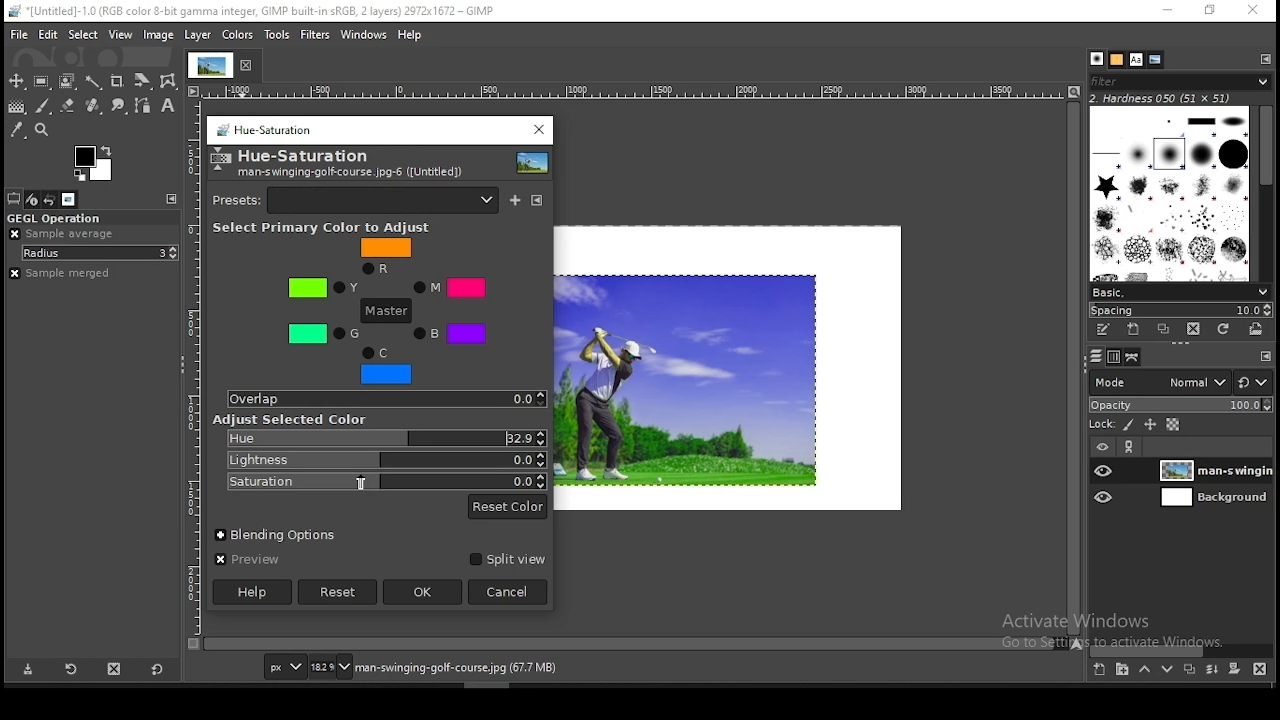 The height and width of the screenshot is (720, 1280). What do you see at coordinates (348, 174) in the screenshot?
I see `man-swinging-gold-couse.jpg-6([untitled])` at bounding box center [348, 174].